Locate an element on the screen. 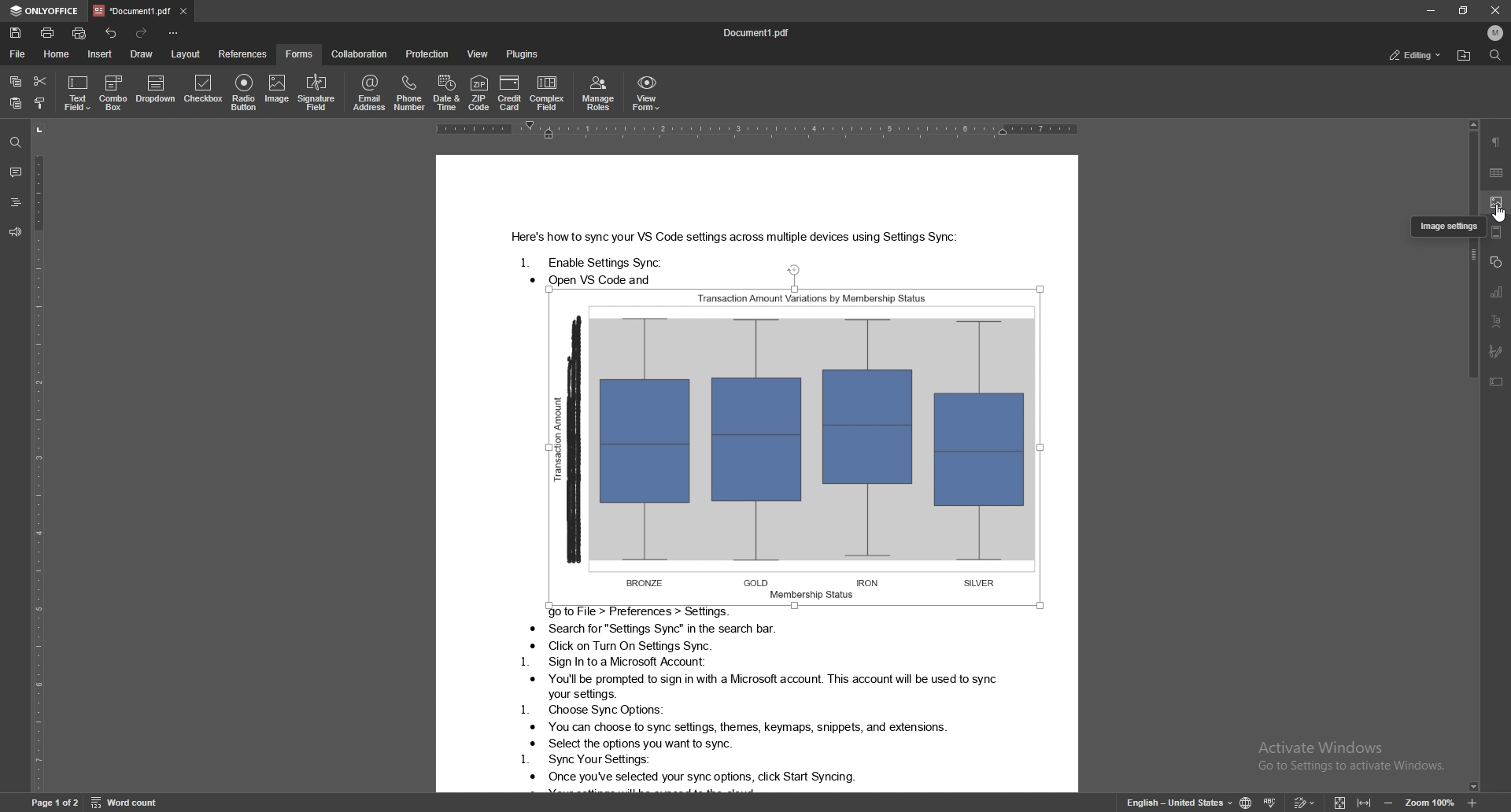 This screenshot has width=1511, height=812. save is located at coordinates (16, 31).